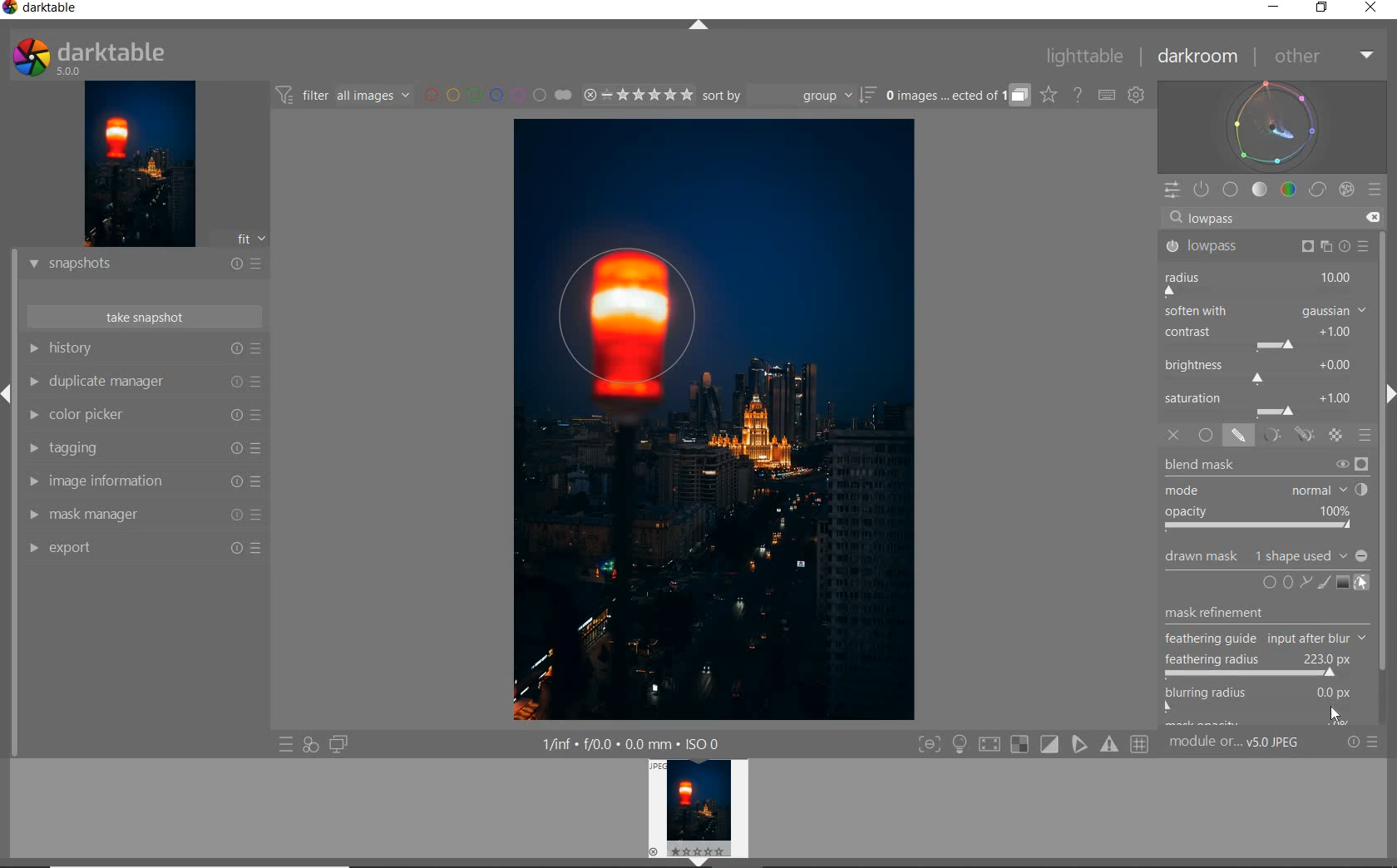 The image size is (1397, 868). Describe the element at coordinates (1286, 436) in the screenshot. I see `MASK OPTIONS` at that location.